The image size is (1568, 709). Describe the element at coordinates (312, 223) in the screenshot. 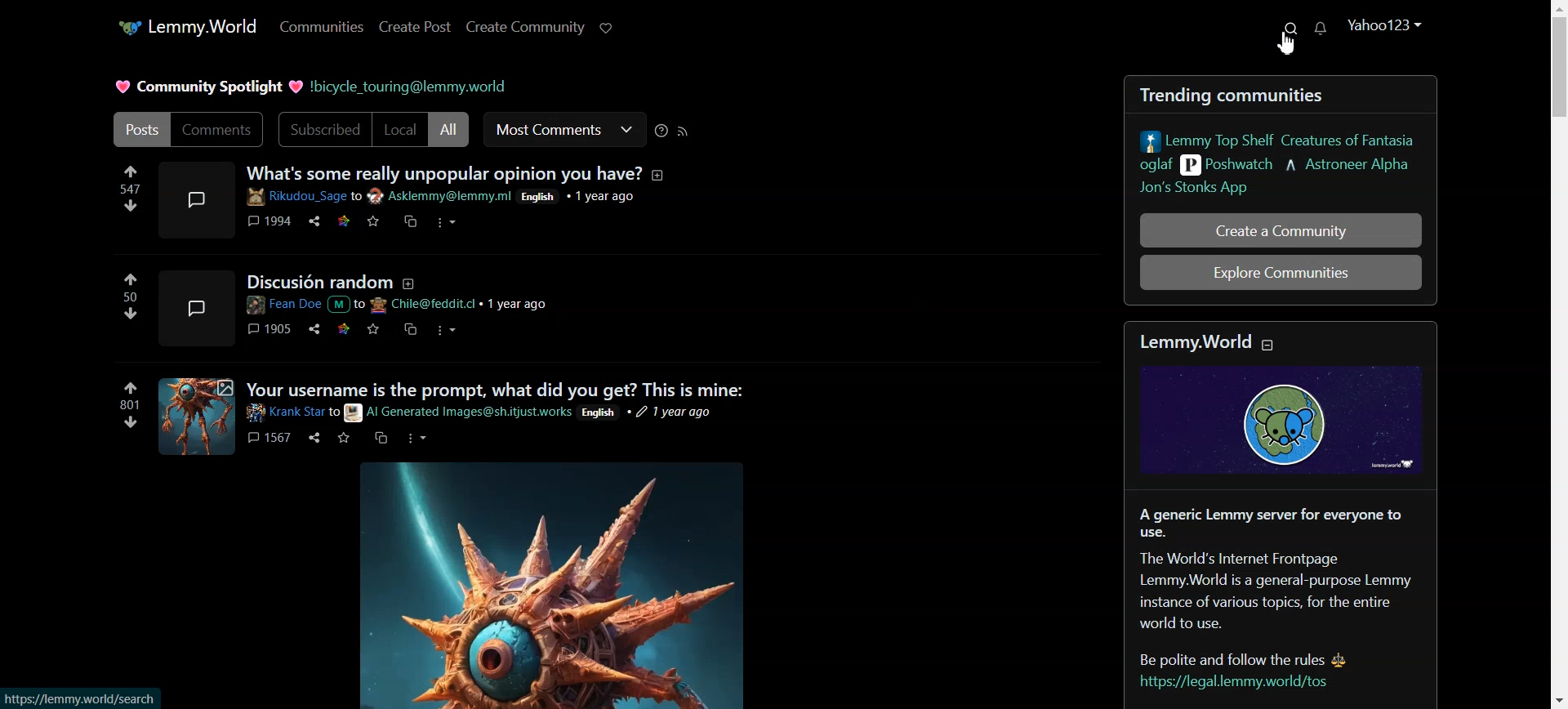

I see `share` at that location.